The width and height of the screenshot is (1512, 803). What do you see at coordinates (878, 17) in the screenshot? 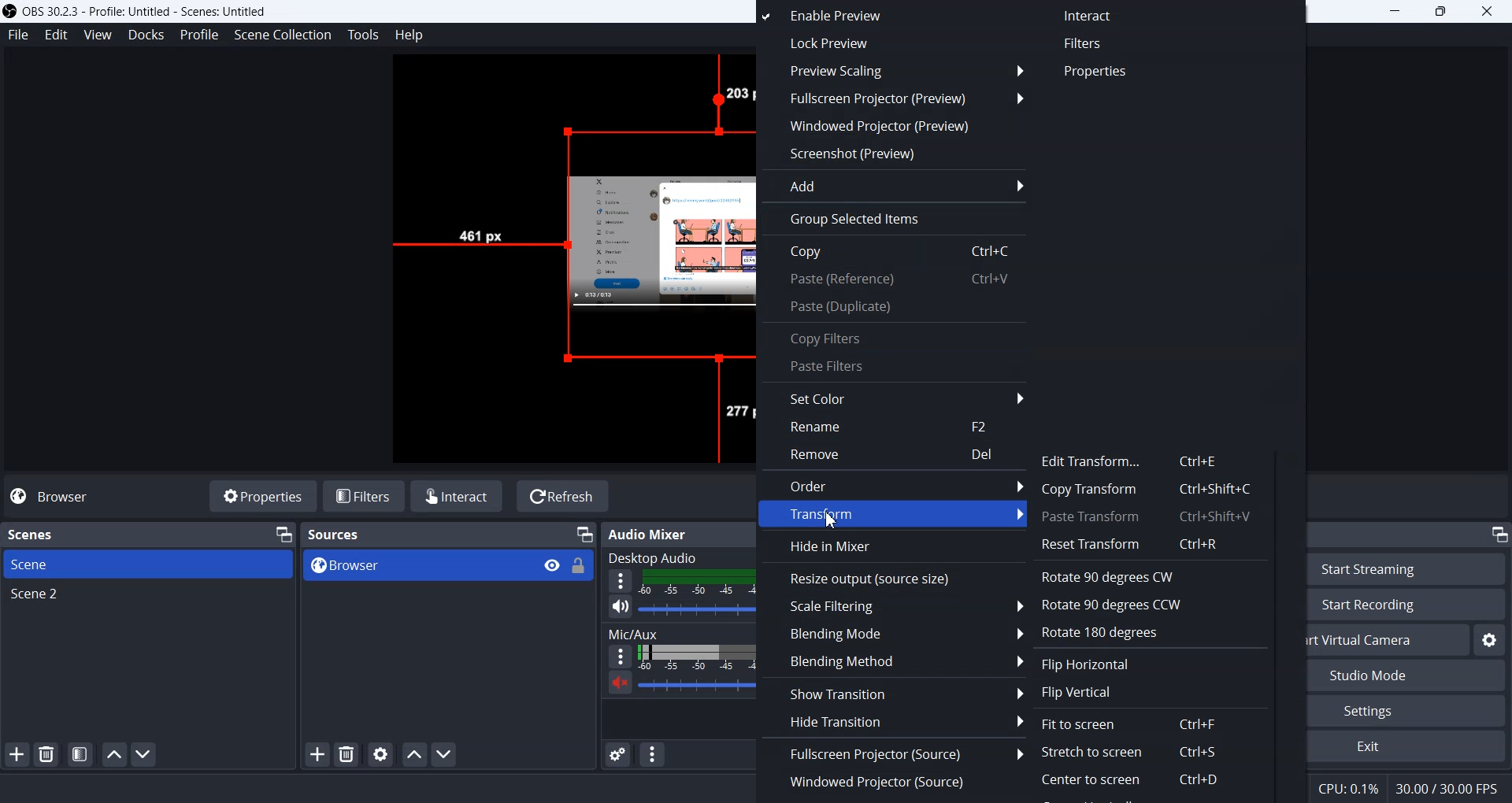
I see `Enable Preview` at bounding box center [878, 17].